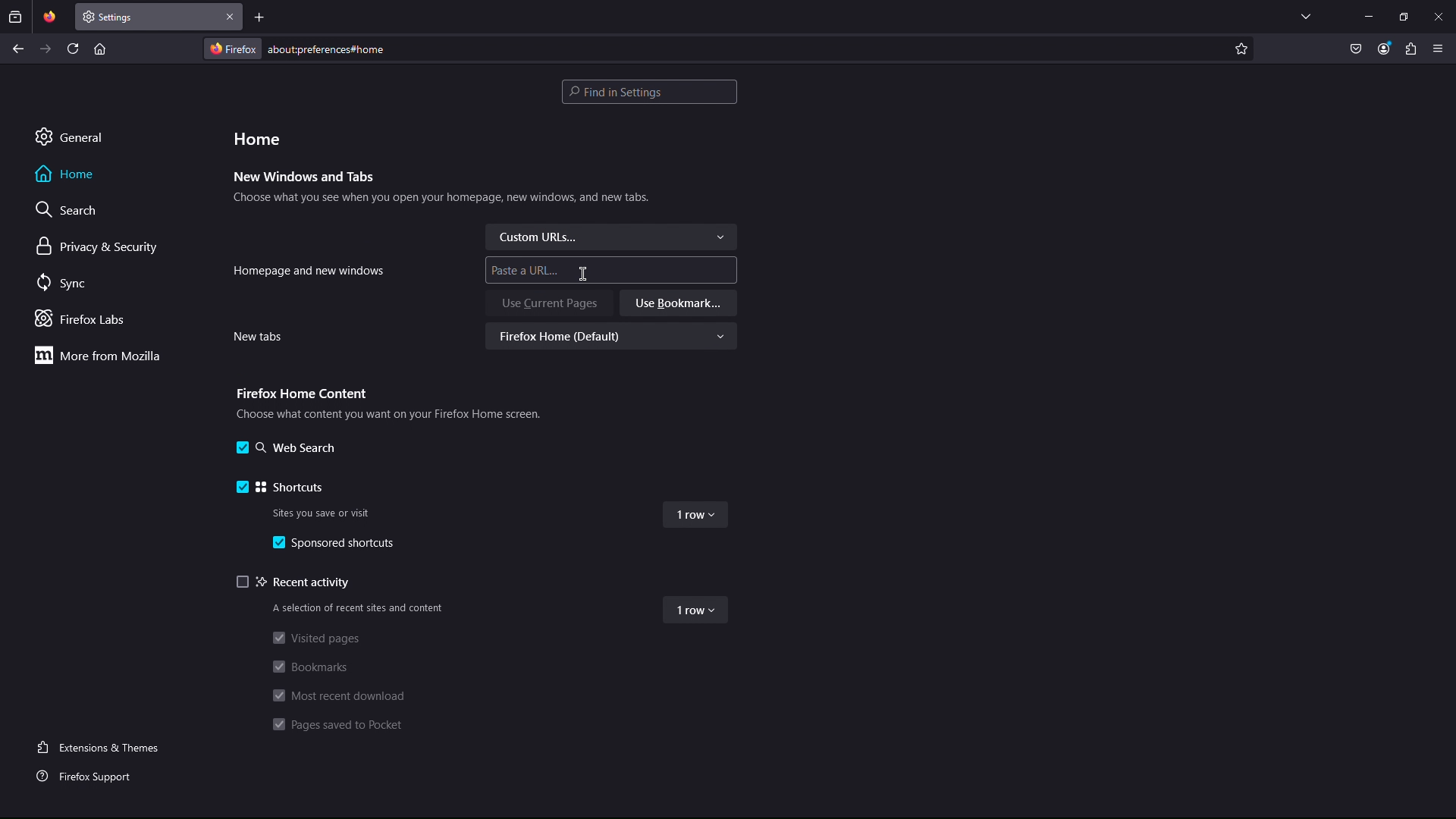 The width and height of the screenshot is (1456, 819). Describe the element at coordinates (549, 303) in the screenshot. I see `Use Current Pages` at that location.